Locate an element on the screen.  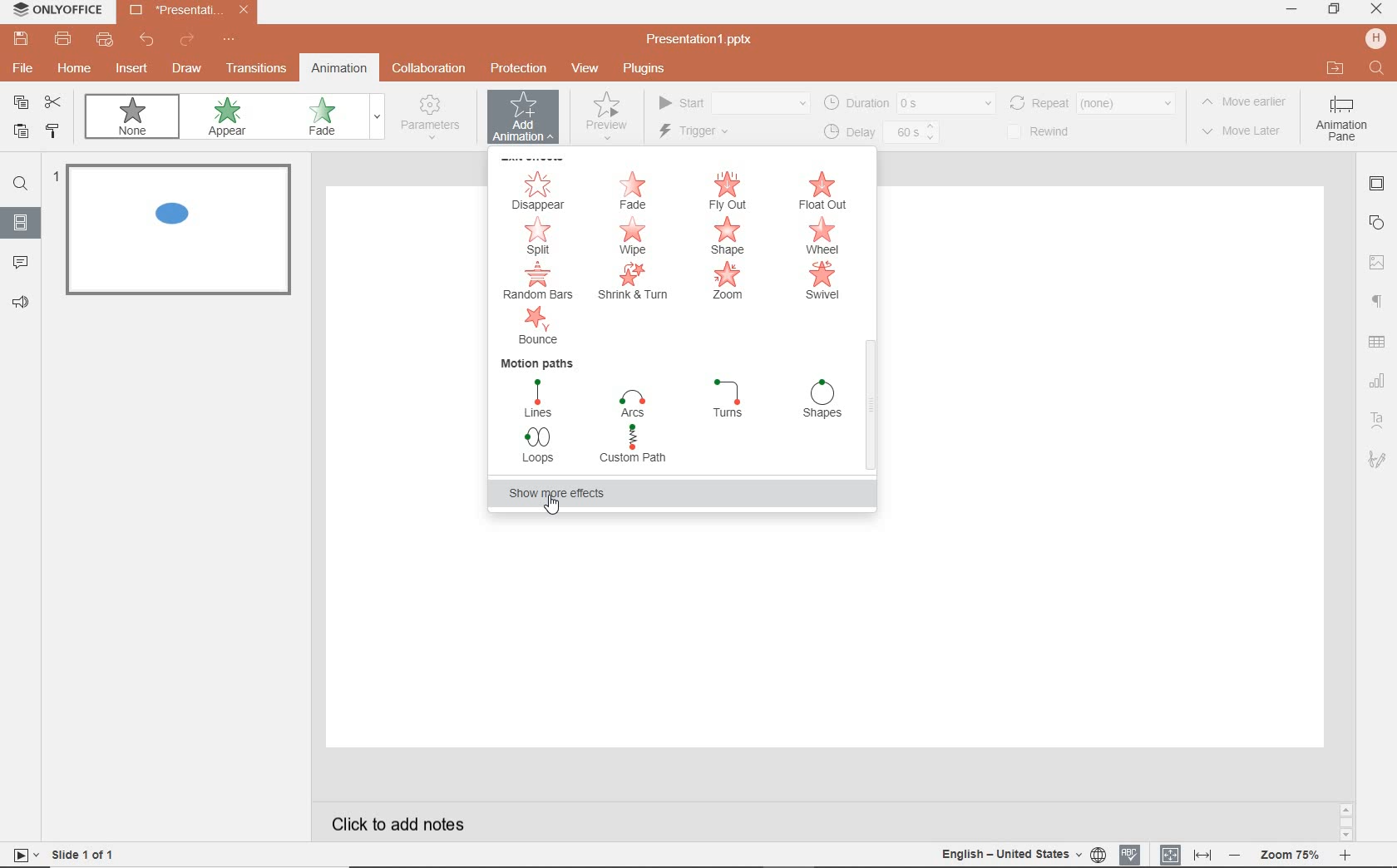
redo is located at coordinates (186, 41).